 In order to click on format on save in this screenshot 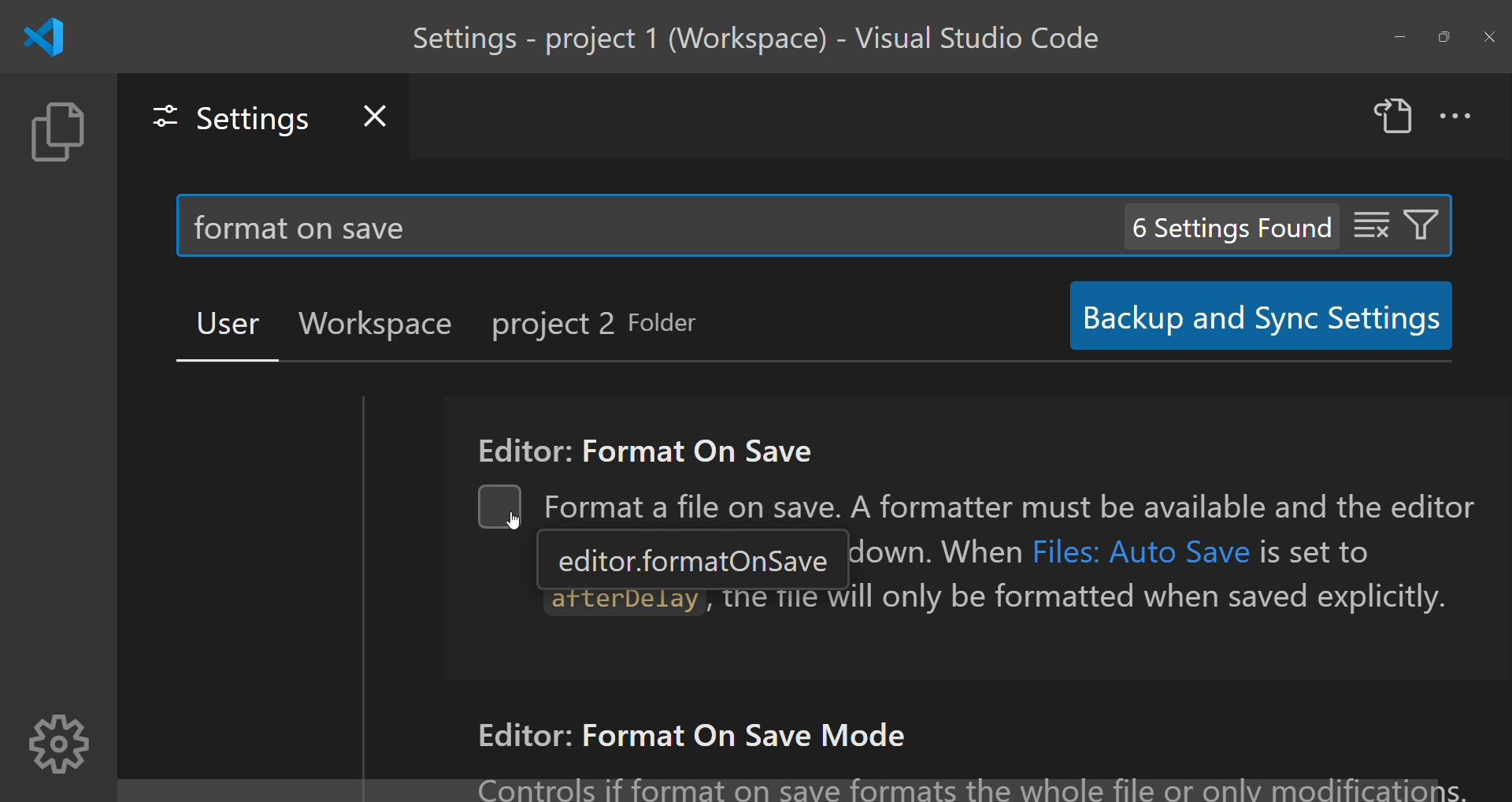, I will do `click(309, 227)`.